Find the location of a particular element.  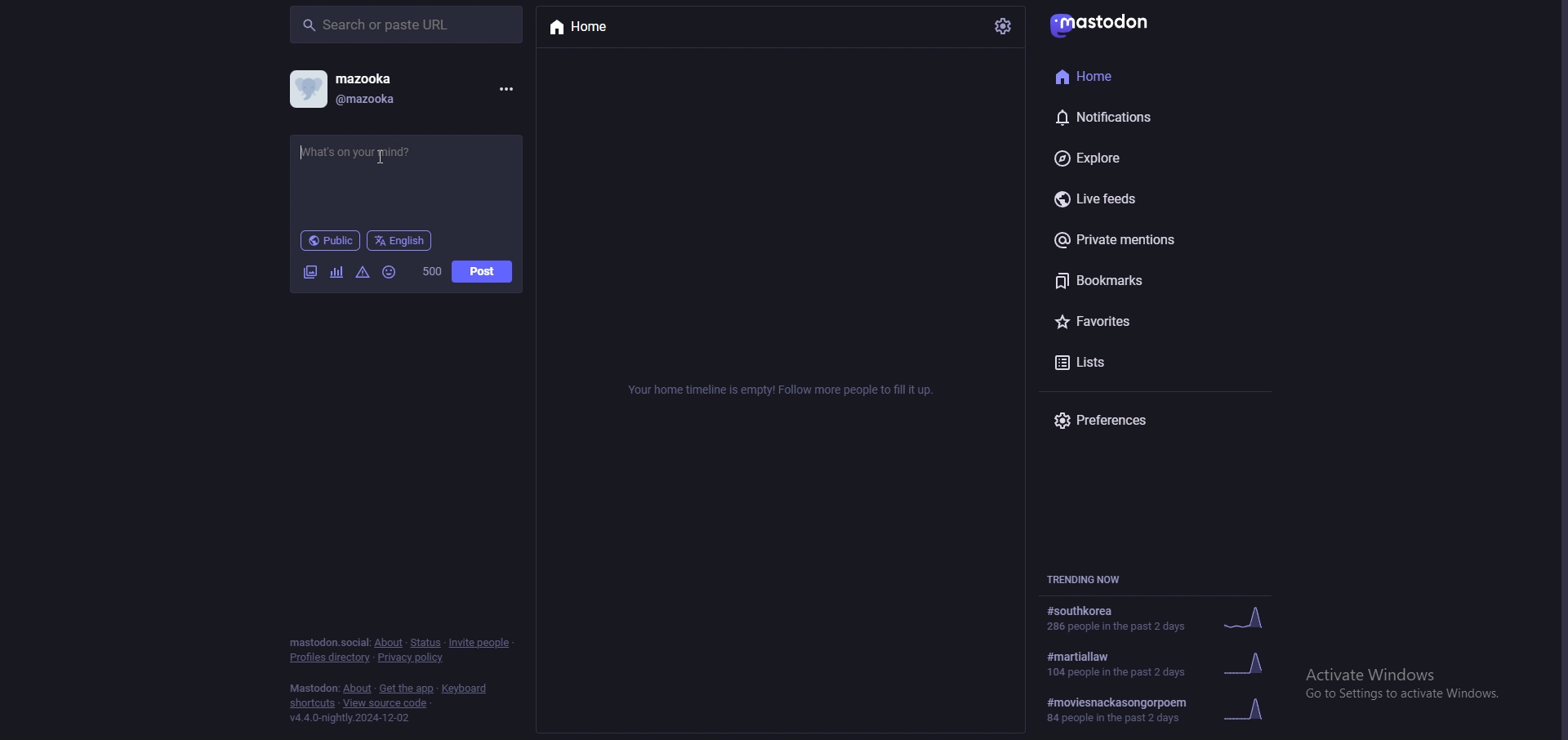

explore is located at coordinates (1142, 155).